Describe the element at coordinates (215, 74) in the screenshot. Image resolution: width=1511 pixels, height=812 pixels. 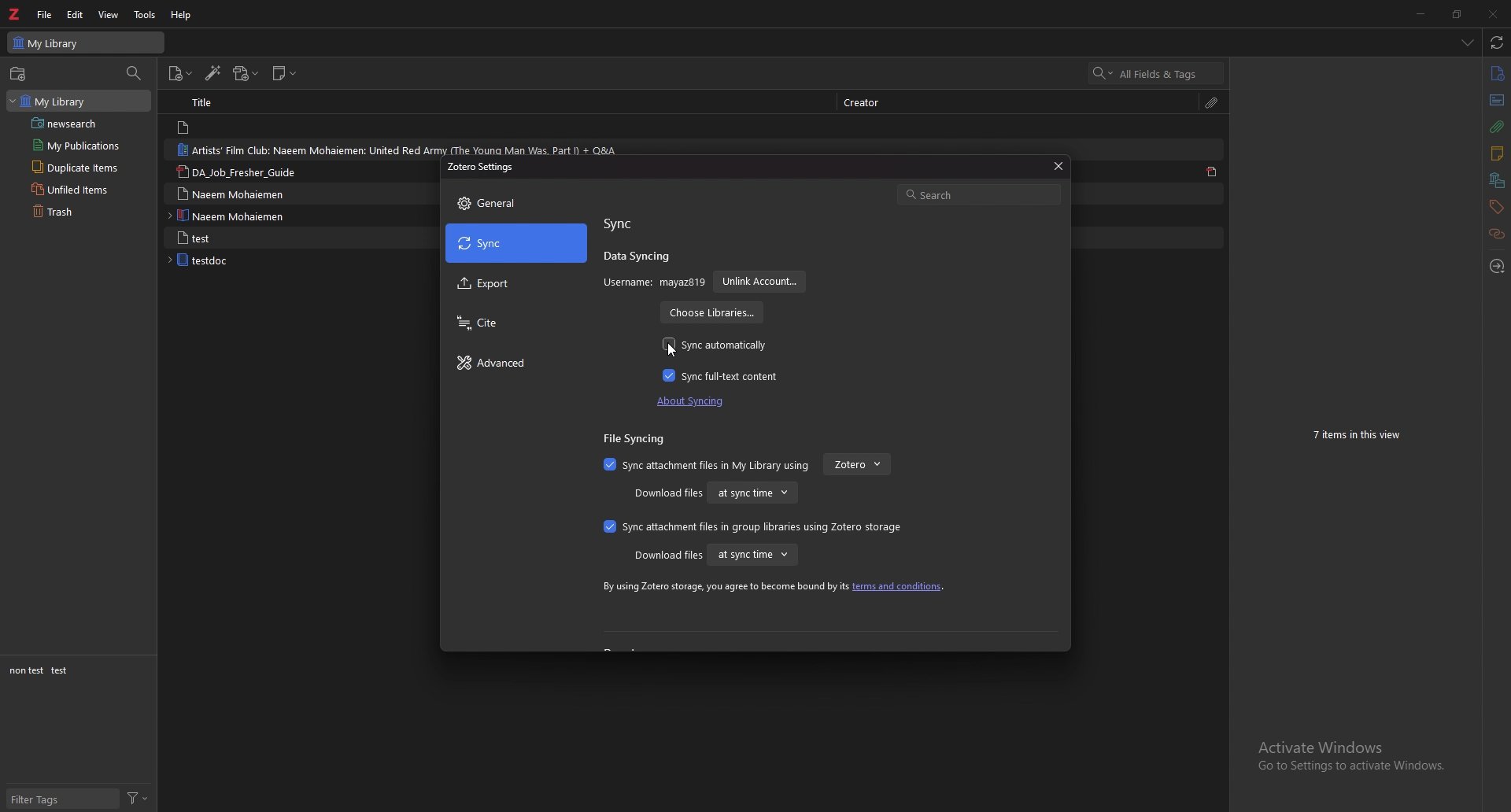
I see `add items by identifier` at that location.